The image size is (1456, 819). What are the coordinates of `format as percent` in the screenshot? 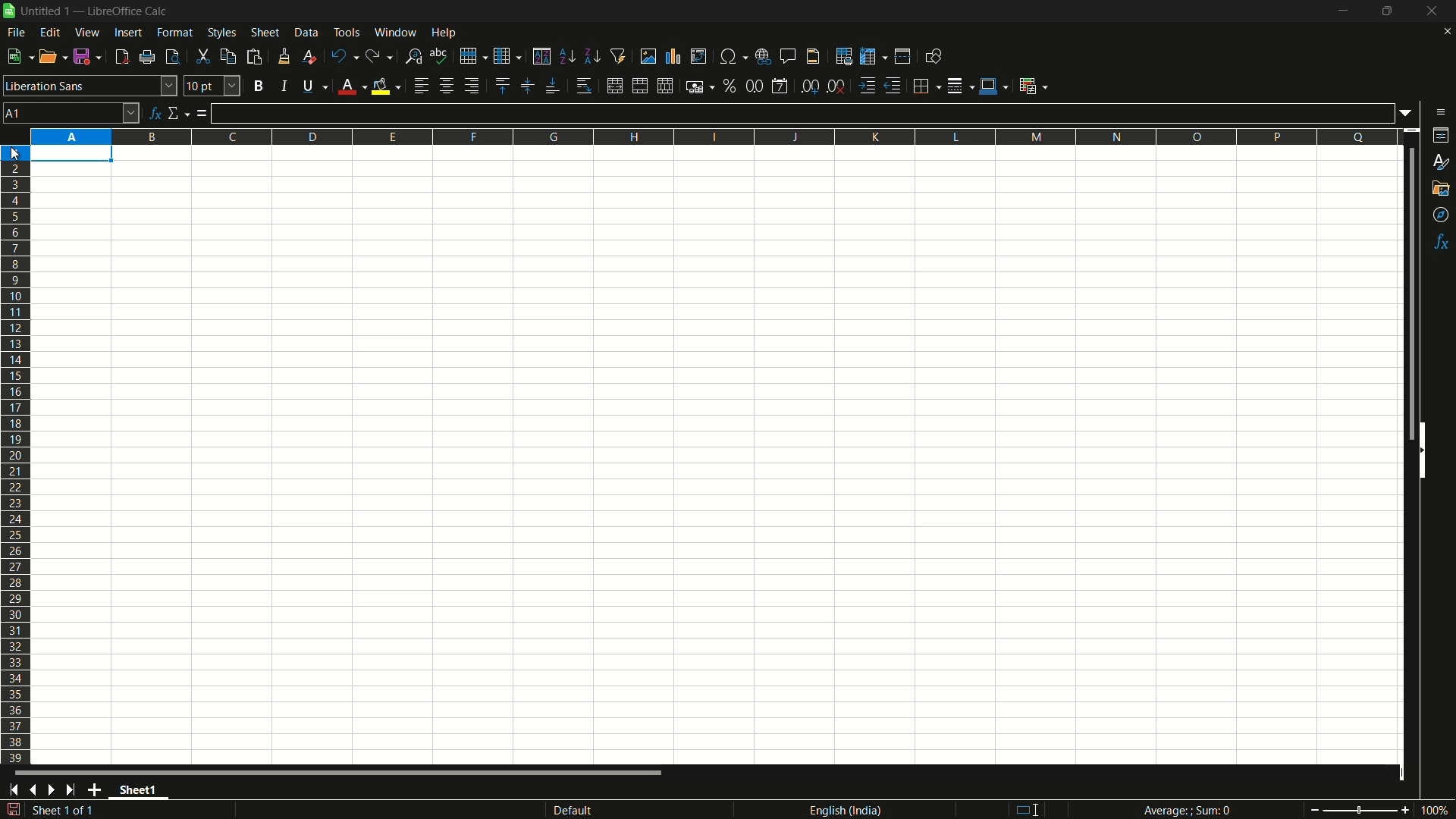 It's located at (730, 85).